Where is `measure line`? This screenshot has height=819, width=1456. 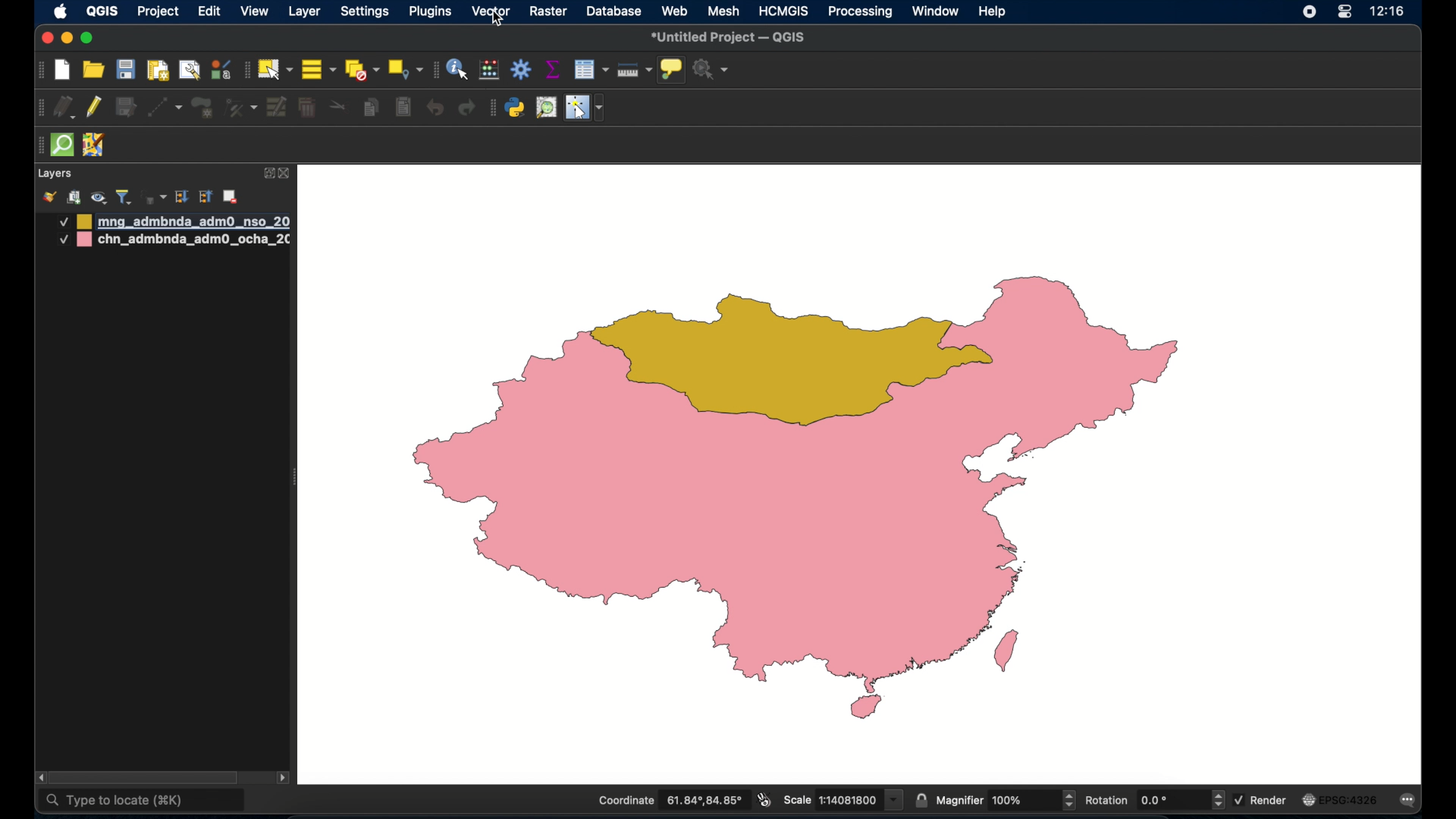 measure line is located at coordinates (634, 71).